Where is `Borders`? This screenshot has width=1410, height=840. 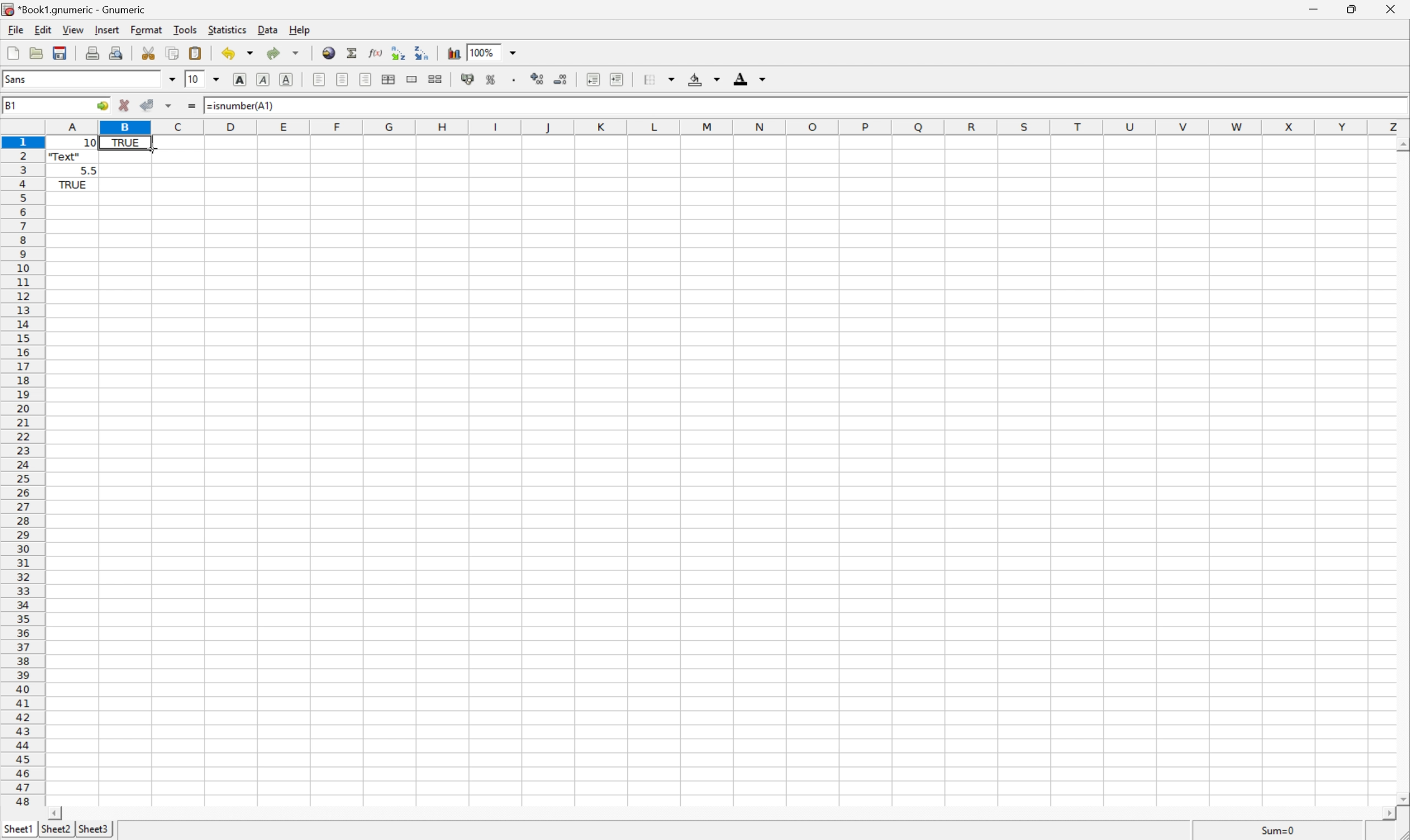
Borders is located at coordinates (659, 79).